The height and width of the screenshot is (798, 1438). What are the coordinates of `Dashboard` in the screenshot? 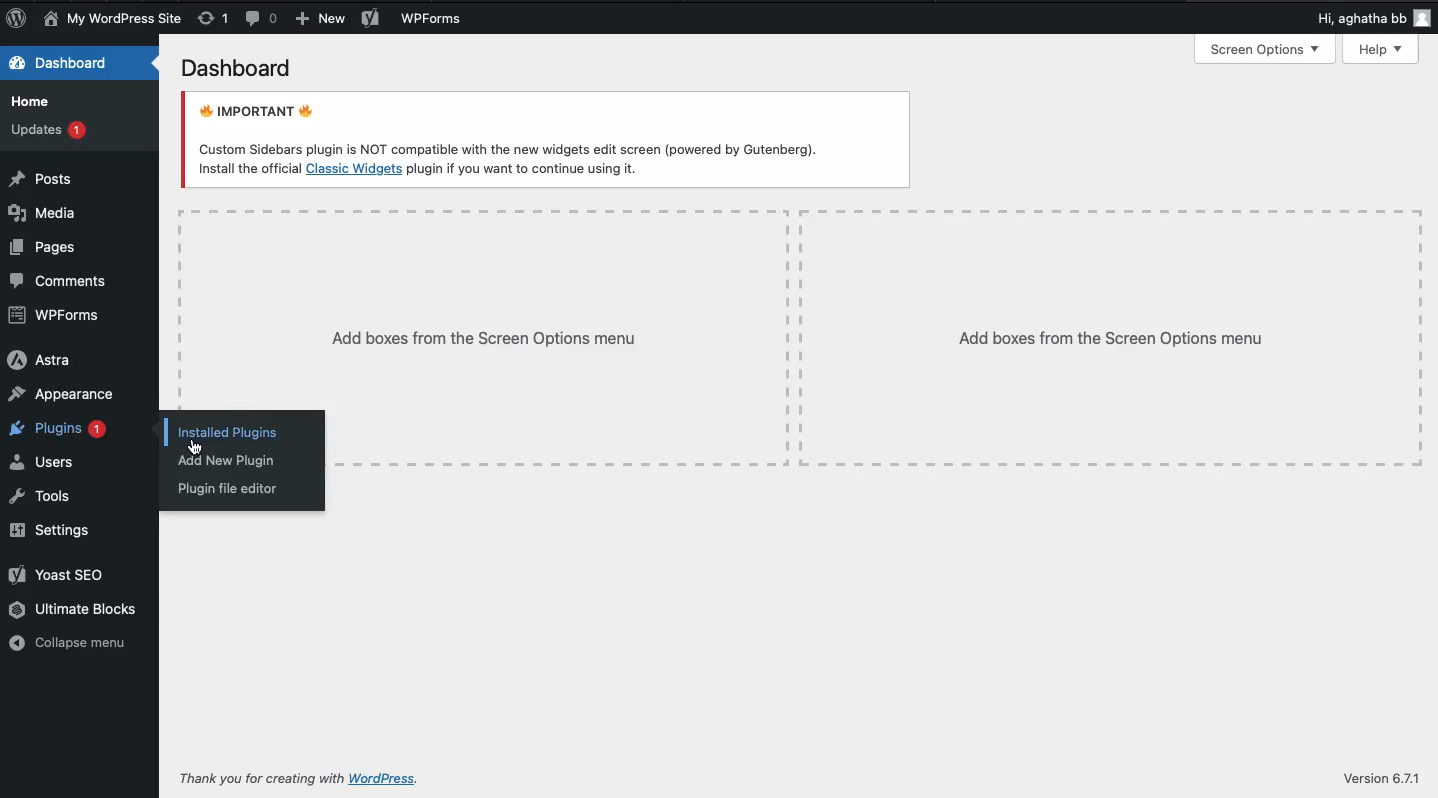 It's located at (68, 65).